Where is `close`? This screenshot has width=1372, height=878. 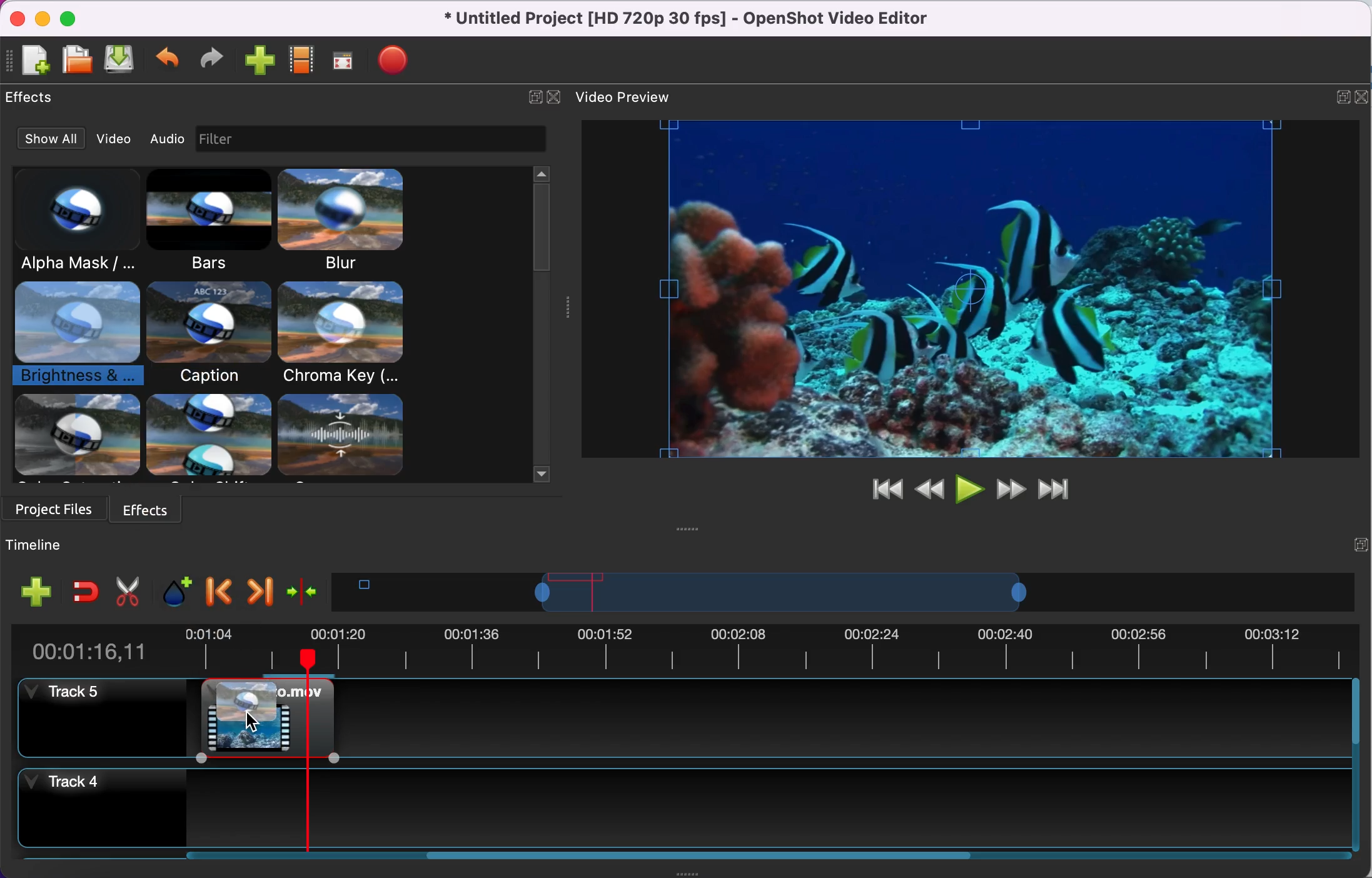
close is located at coordinates (555, 96).